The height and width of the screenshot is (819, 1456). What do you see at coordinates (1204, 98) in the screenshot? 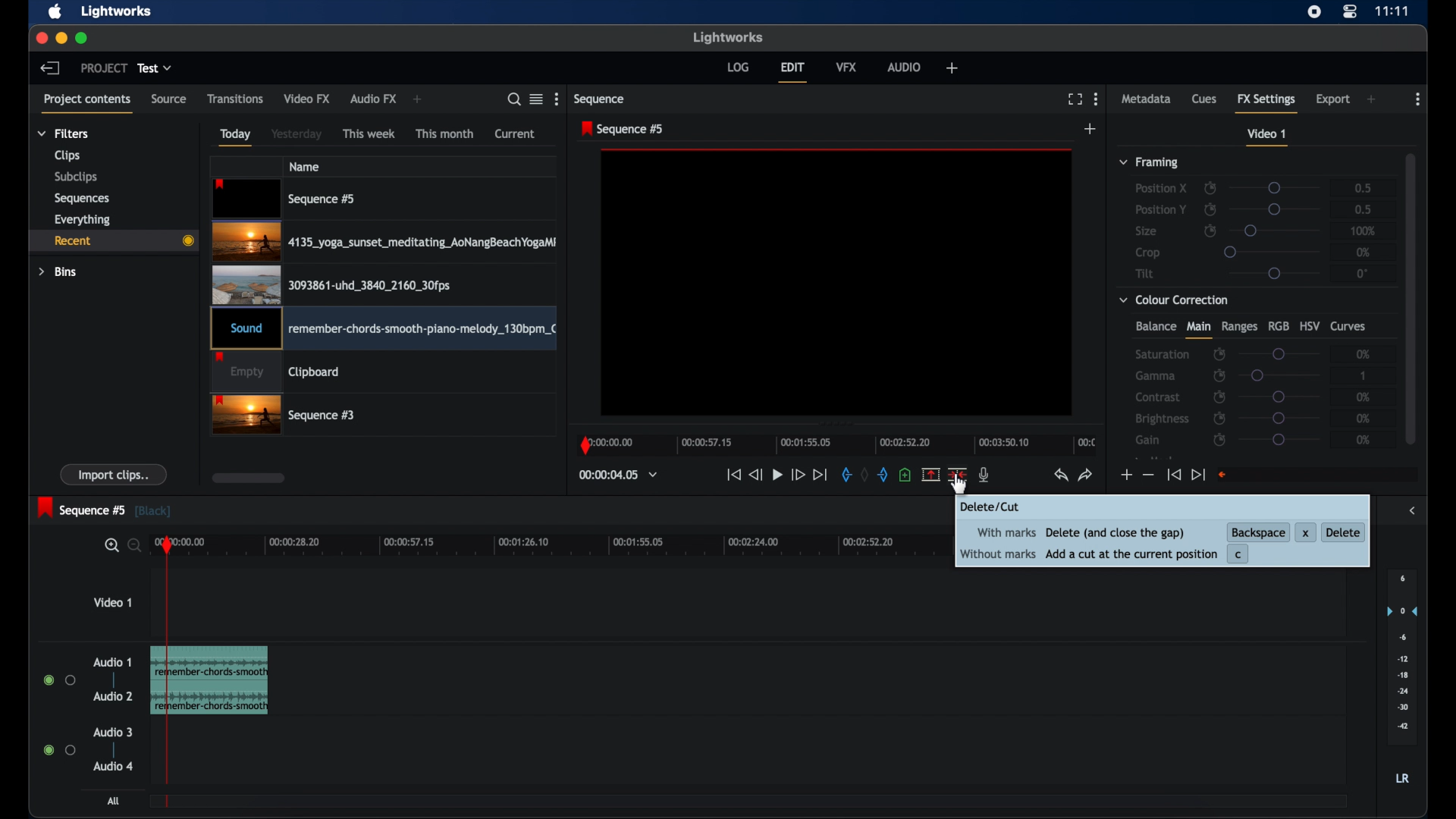
I see `cues` at bounding box center [1204, 98].